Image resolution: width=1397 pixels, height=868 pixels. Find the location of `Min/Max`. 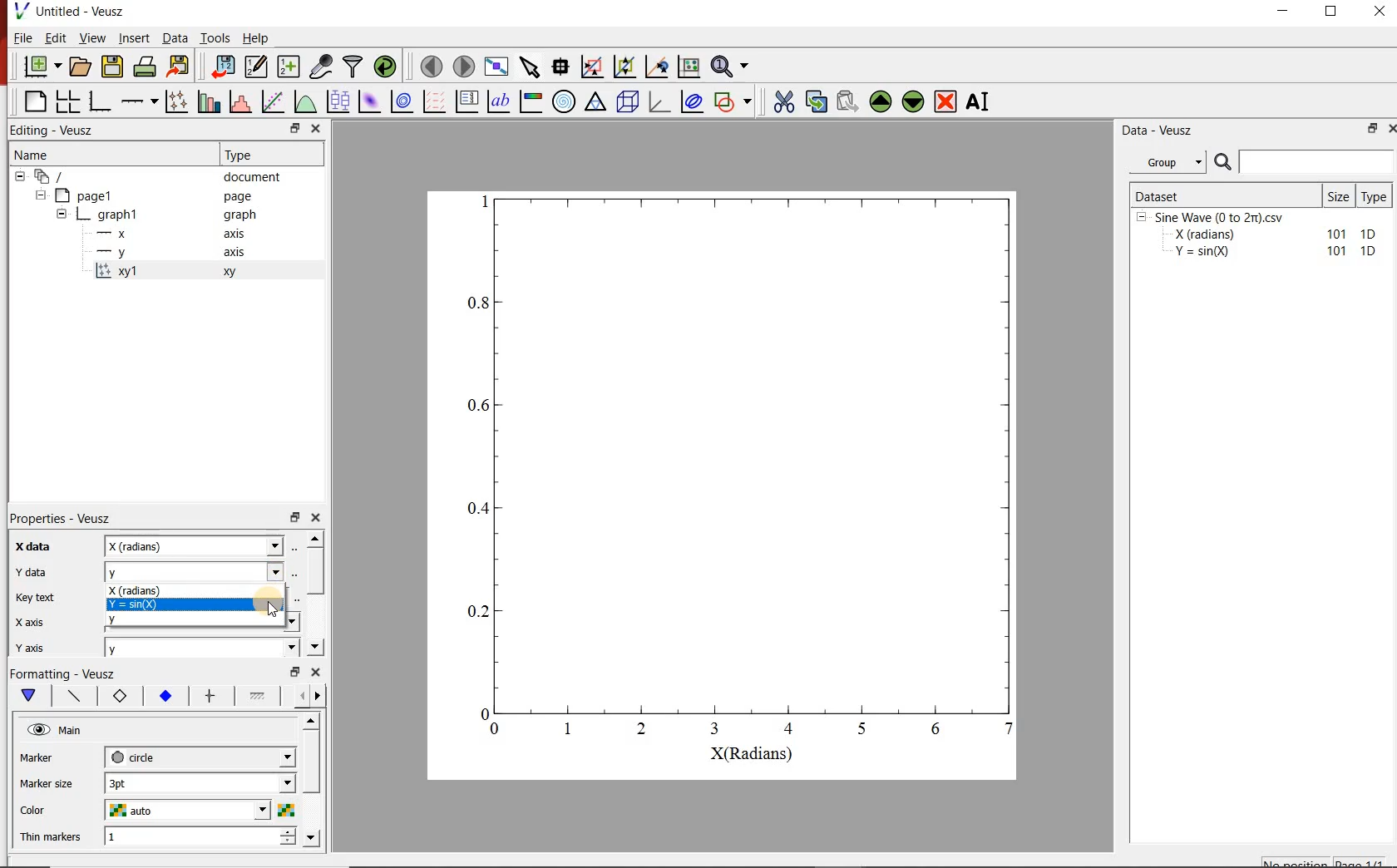

Min/Max is located at coordinates (295, 515).